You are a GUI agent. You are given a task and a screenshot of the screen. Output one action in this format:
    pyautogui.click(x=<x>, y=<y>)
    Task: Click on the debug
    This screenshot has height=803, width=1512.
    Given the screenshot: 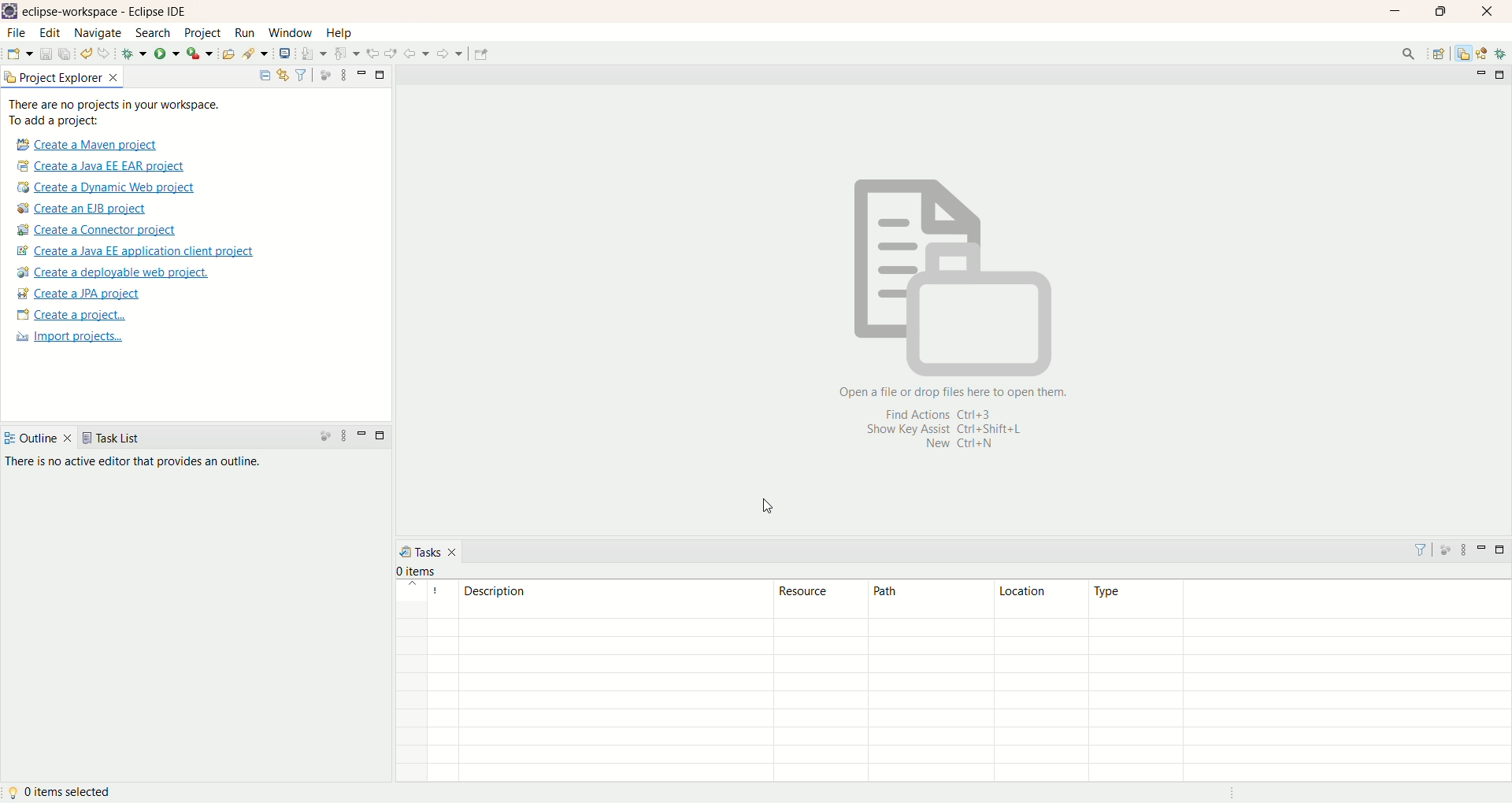 What is the action you would take?
    pyautogui.click(x=135, y=54)
    